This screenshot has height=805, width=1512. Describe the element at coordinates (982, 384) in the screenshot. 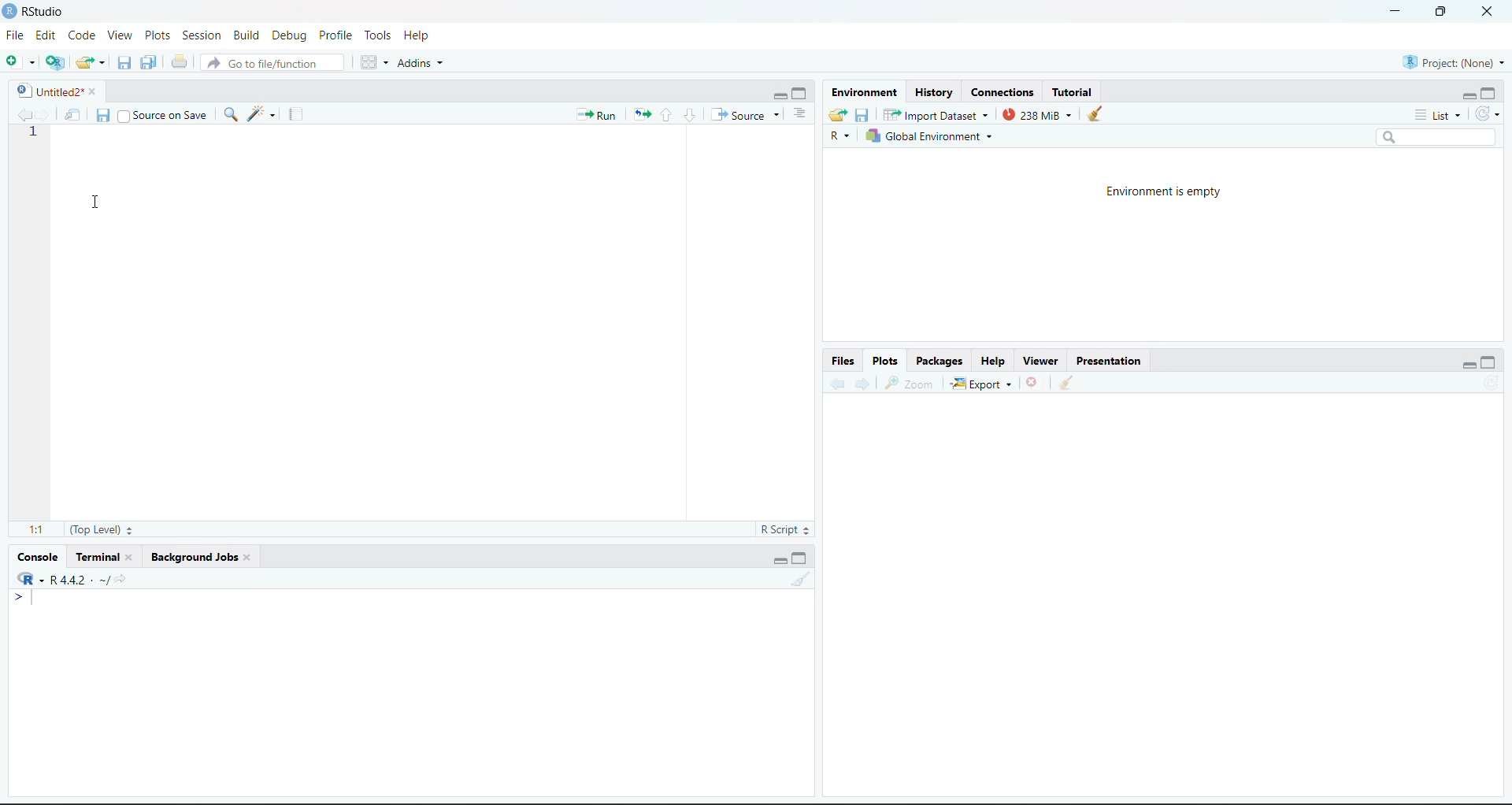

I see `Export` at that location.